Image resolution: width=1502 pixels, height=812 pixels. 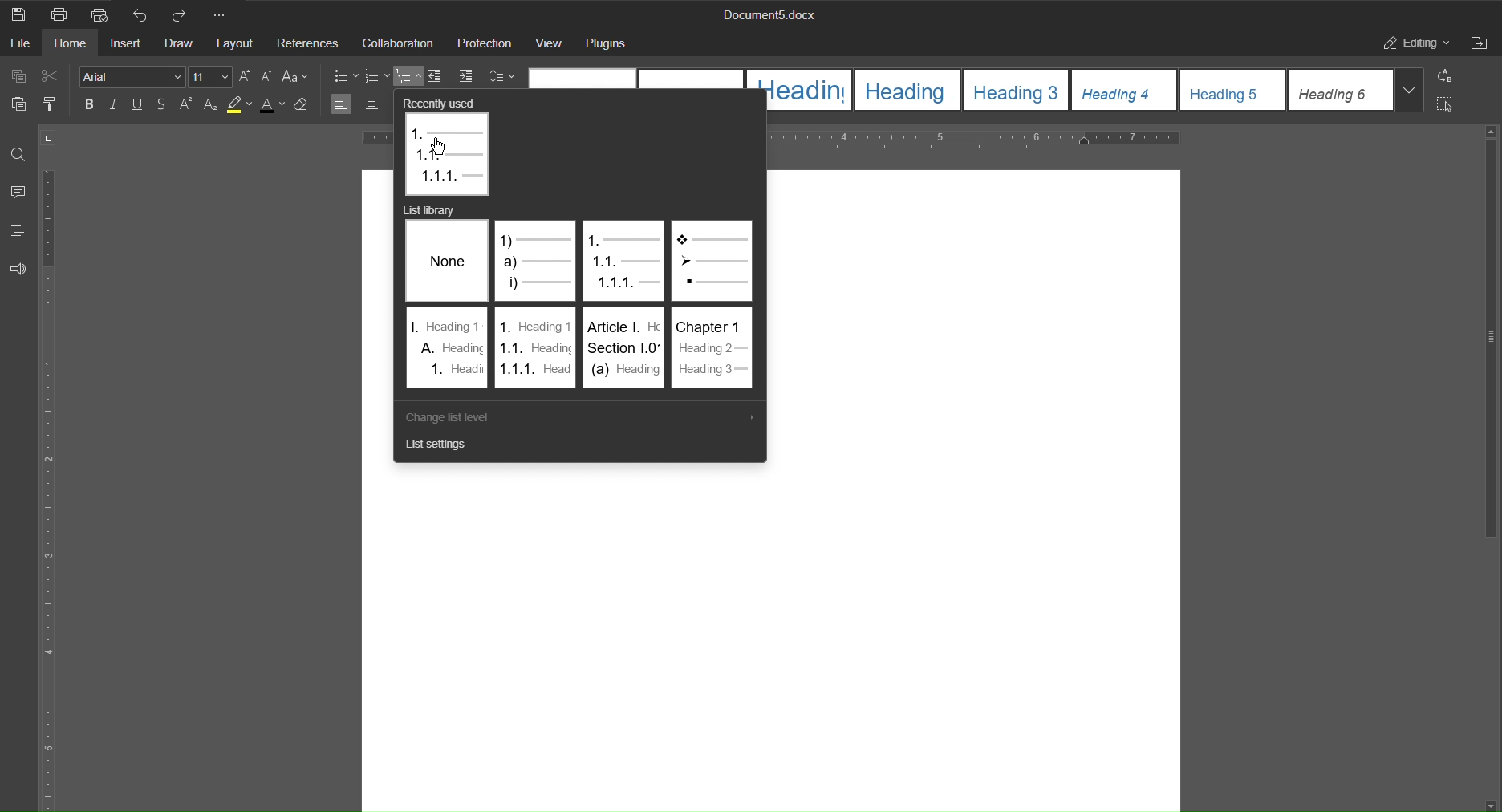 What do you see at coordinates (376, 76) in the screenshot?
I see `numbering` at bounding box center [376, 76].